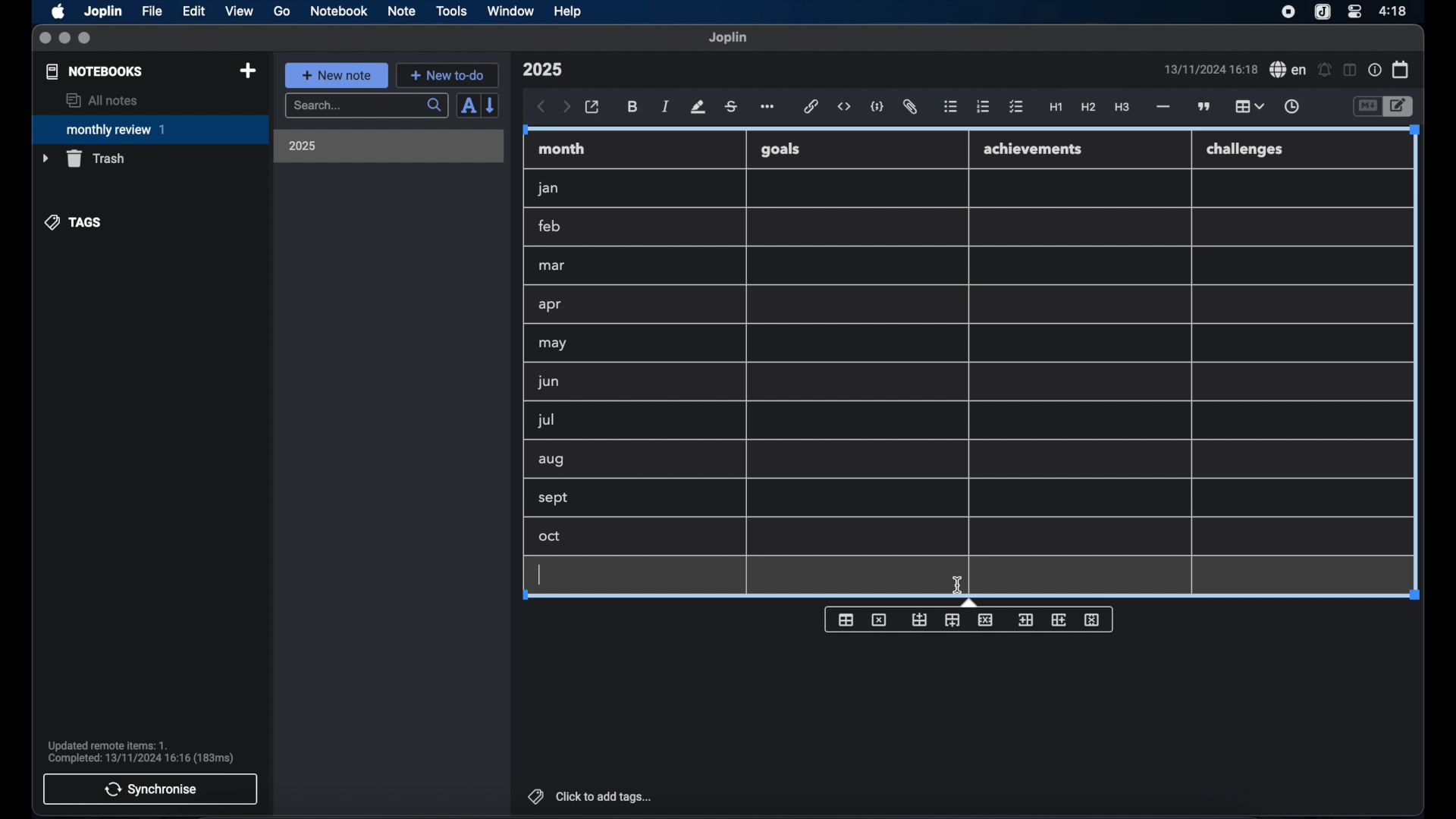 The height and width of the screenshot is (819, 1456). I want to click on spel check, so click(1288, 70).